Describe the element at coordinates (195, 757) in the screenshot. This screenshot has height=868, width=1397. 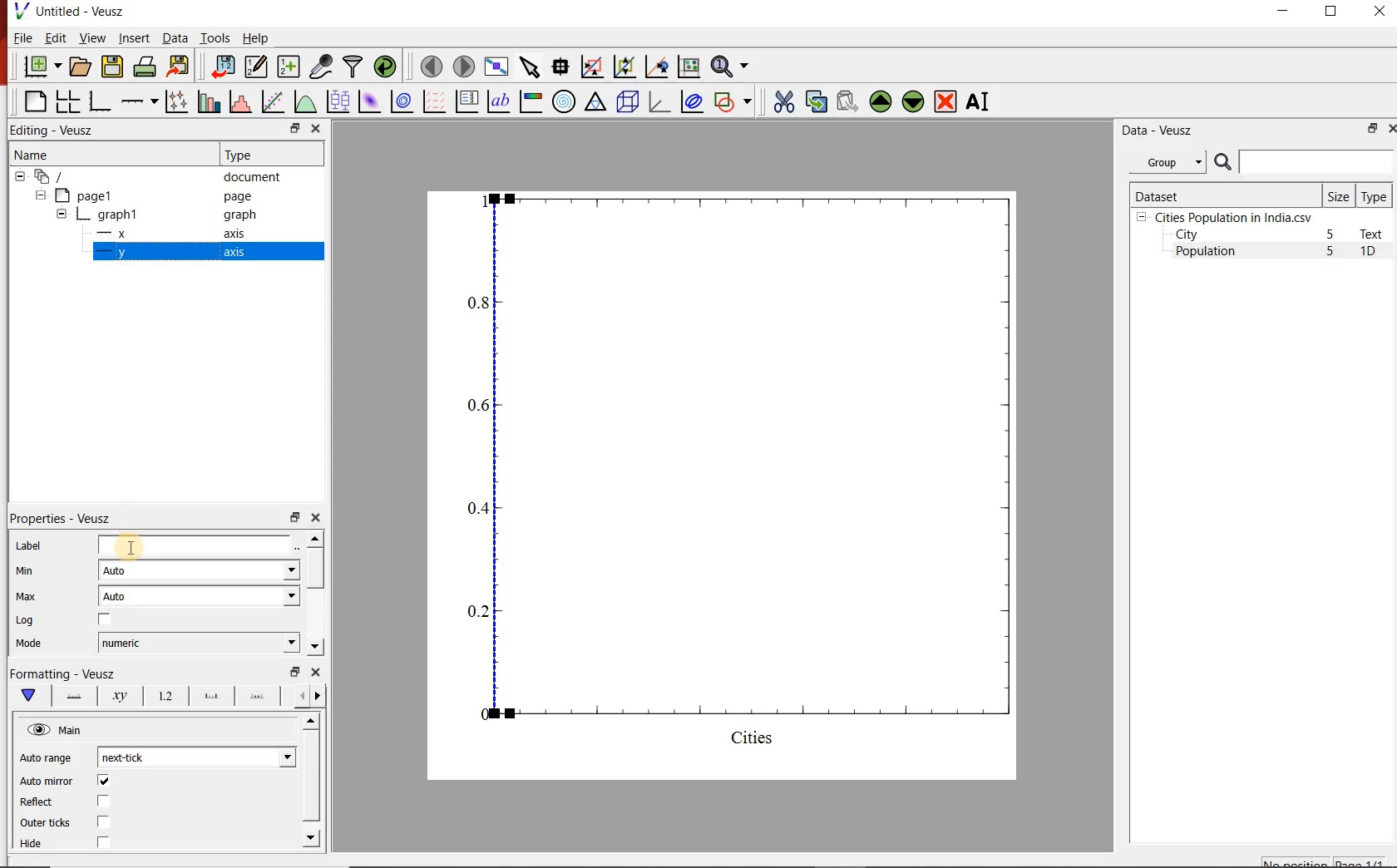
I see `next-tick` at that location.